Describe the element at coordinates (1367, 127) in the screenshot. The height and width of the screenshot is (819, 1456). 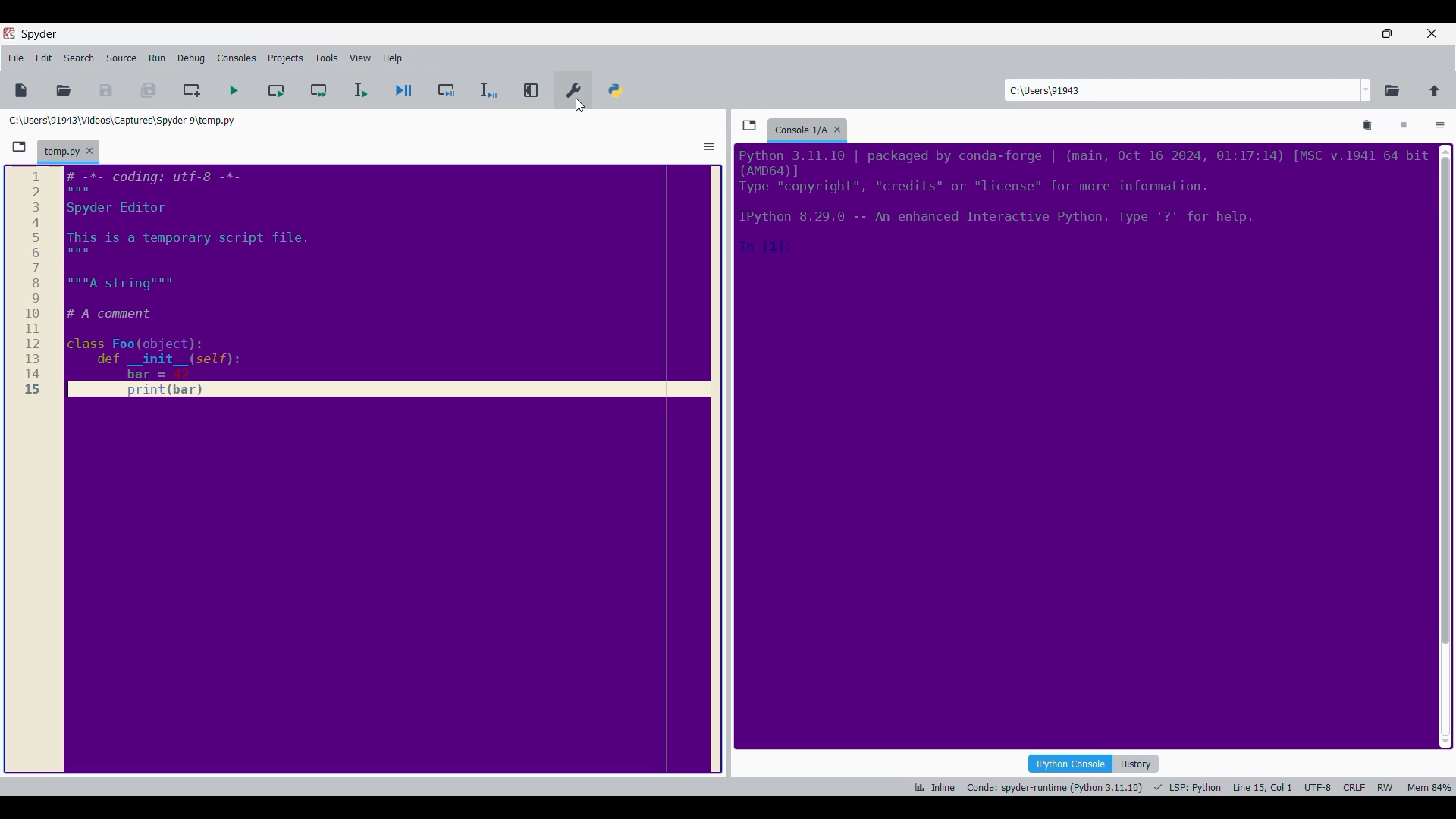
I see `Remove all variables from namespace` at that location.